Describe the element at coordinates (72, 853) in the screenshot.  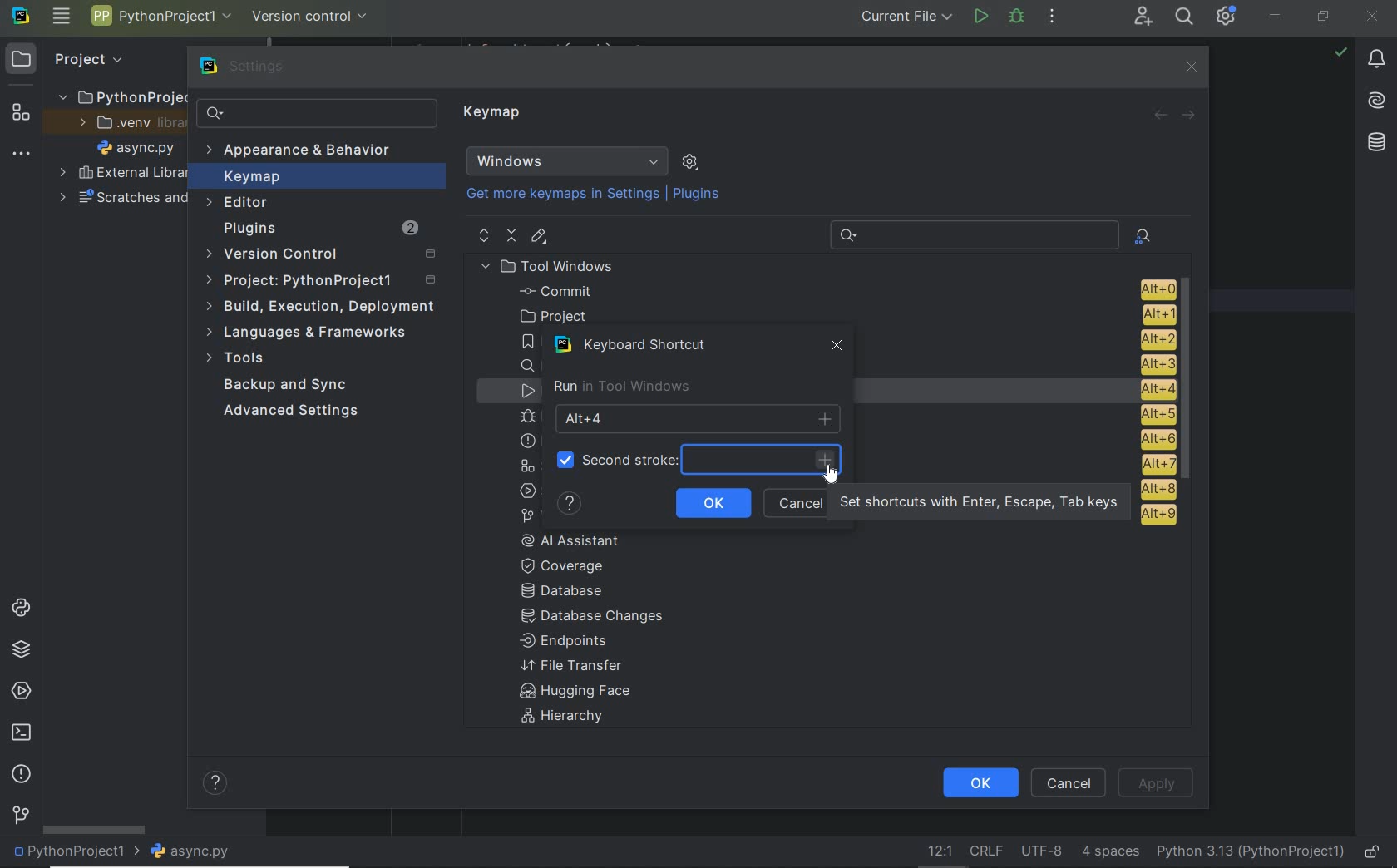
I see `project name` at that location.